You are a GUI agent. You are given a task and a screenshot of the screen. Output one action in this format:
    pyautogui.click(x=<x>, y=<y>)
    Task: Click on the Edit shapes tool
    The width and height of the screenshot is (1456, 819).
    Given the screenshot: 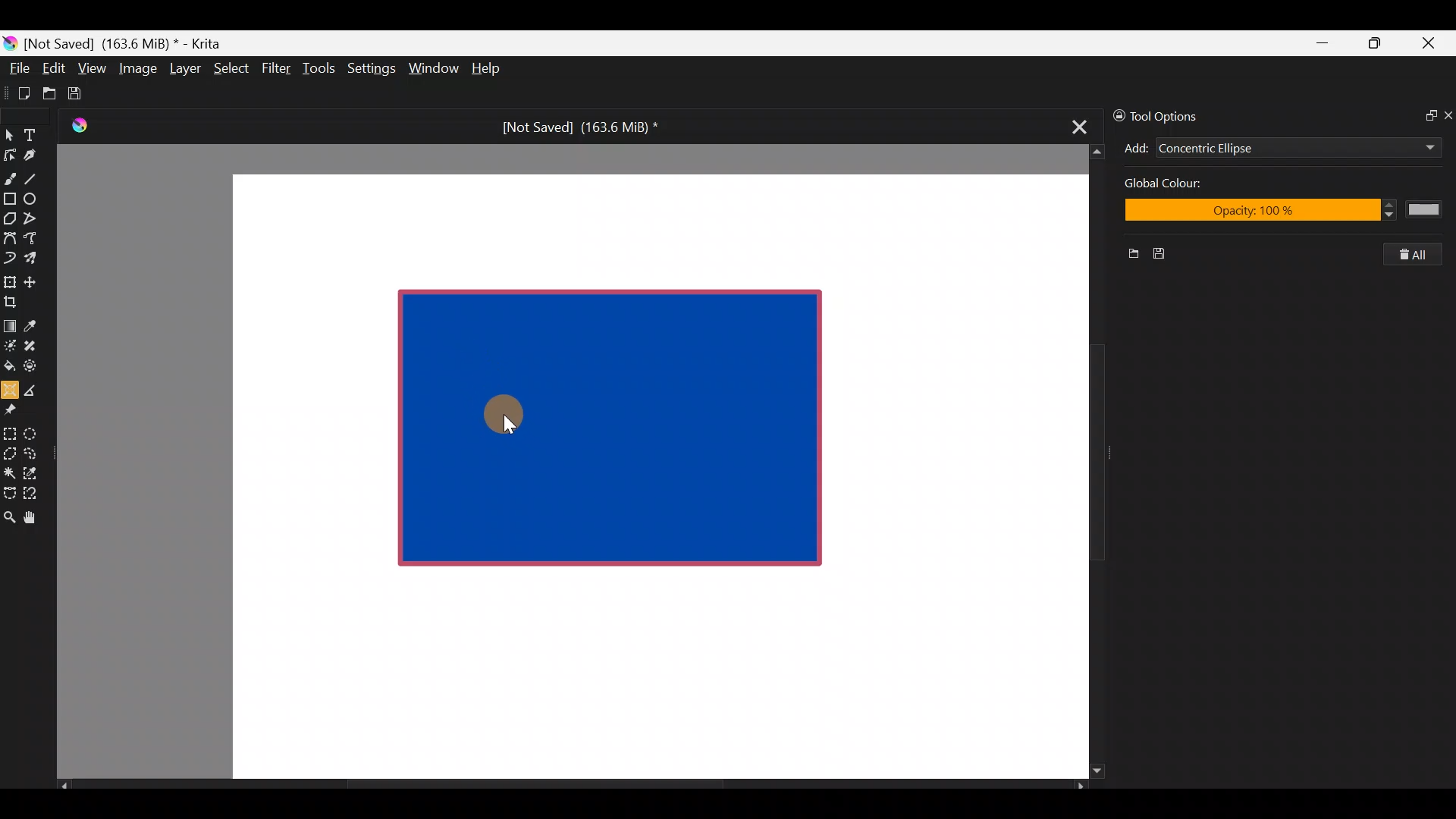 What is the action you would take?
    pyautogui.click(x=10, y=154)
    